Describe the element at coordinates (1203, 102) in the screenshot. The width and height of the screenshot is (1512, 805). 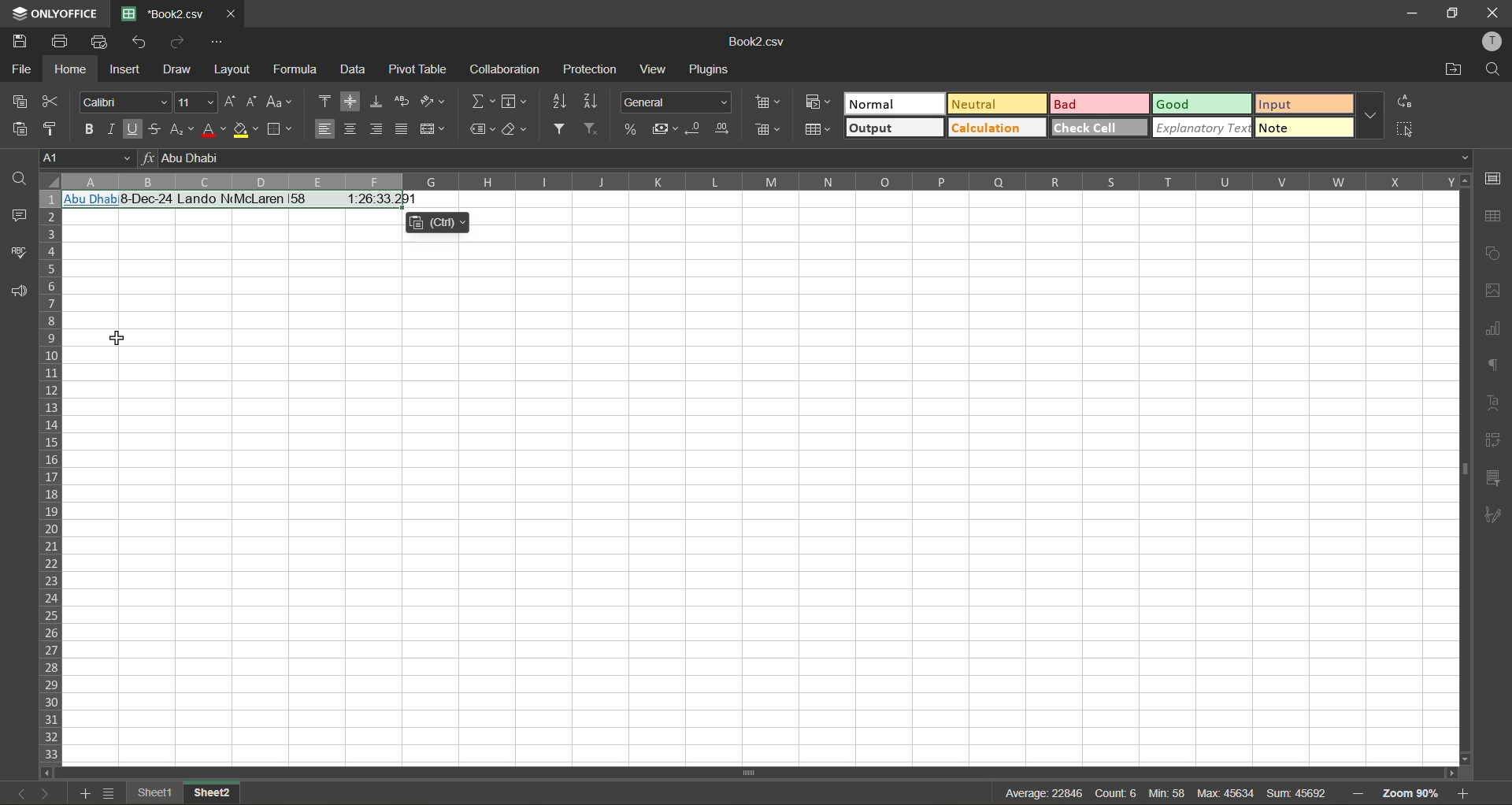
I see `good` at that location.